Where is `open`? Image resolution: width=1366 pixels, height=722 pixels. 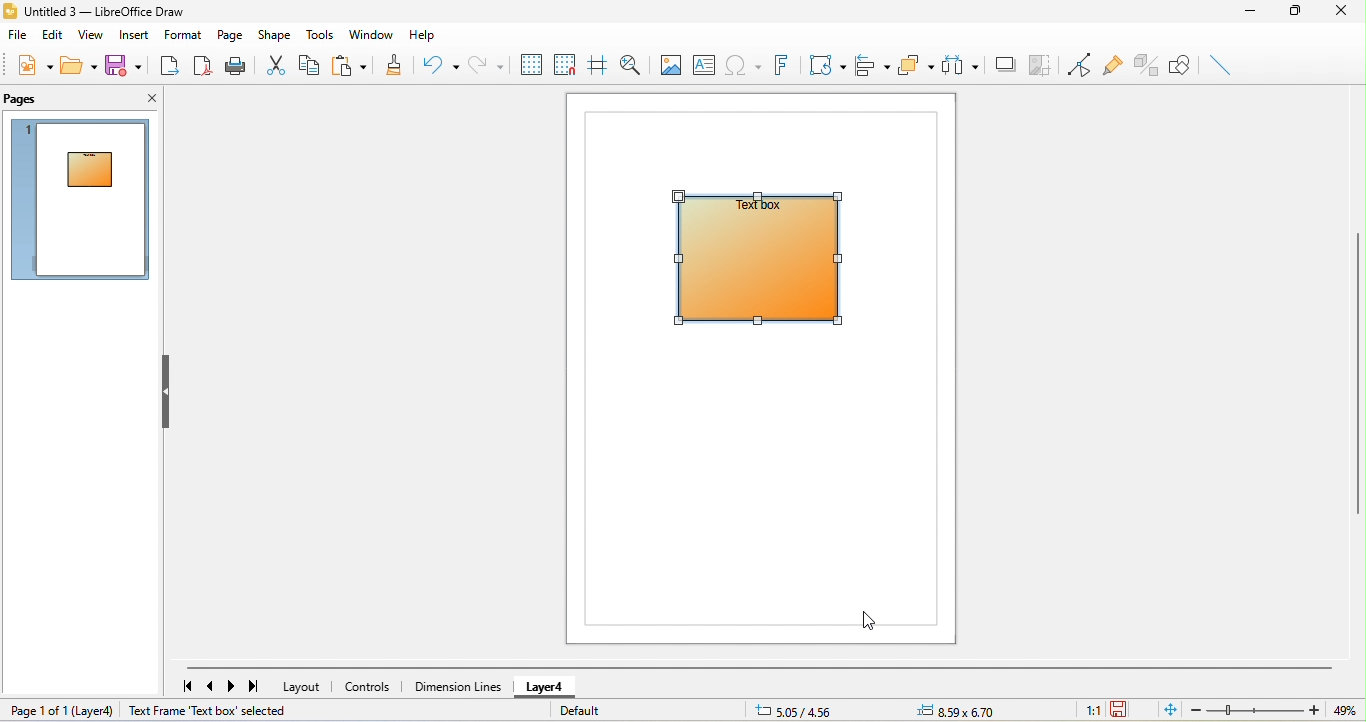 open is located at coordinates (81, 64).